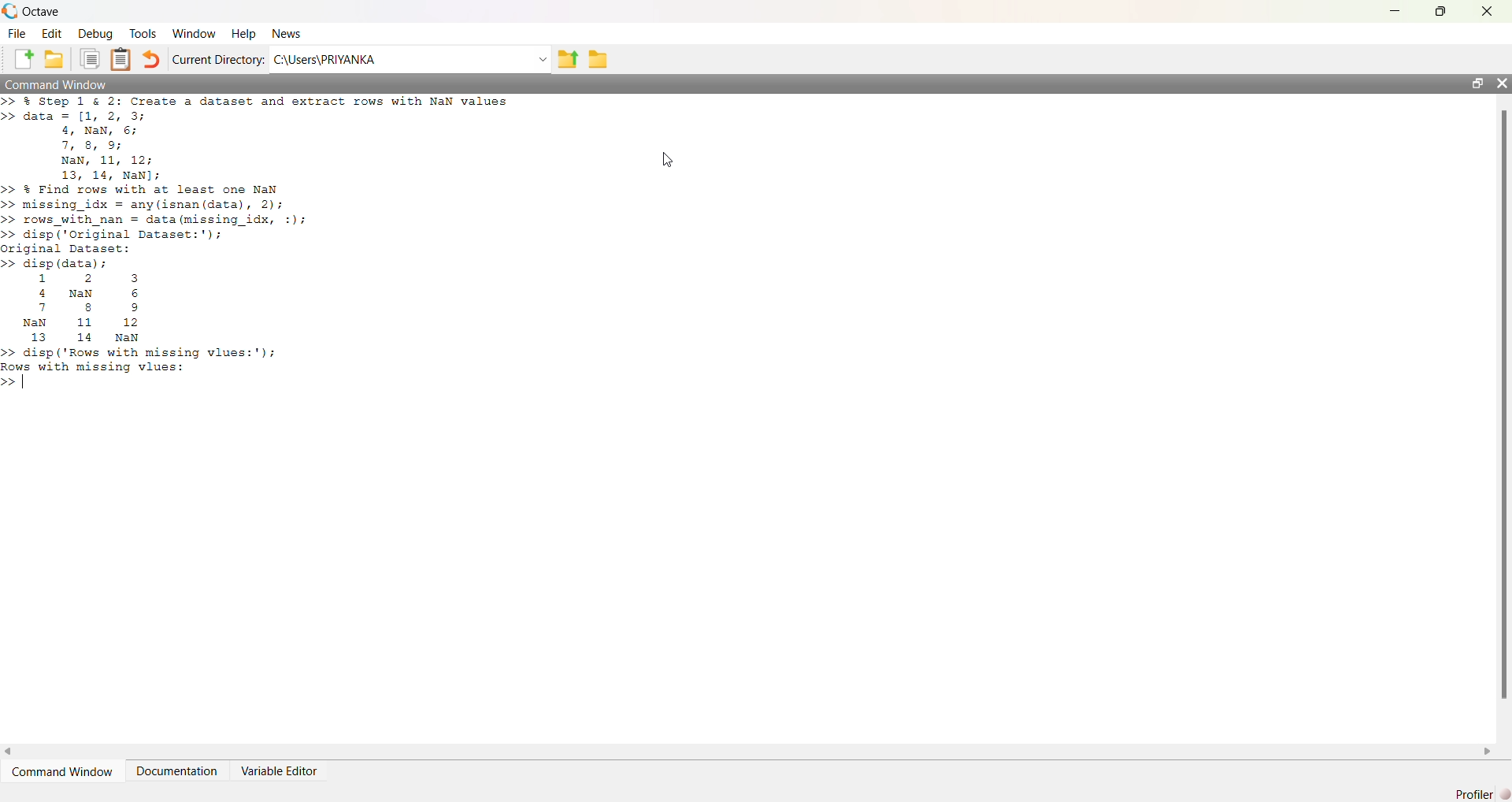  I want to click on logo, so click(9, 11).